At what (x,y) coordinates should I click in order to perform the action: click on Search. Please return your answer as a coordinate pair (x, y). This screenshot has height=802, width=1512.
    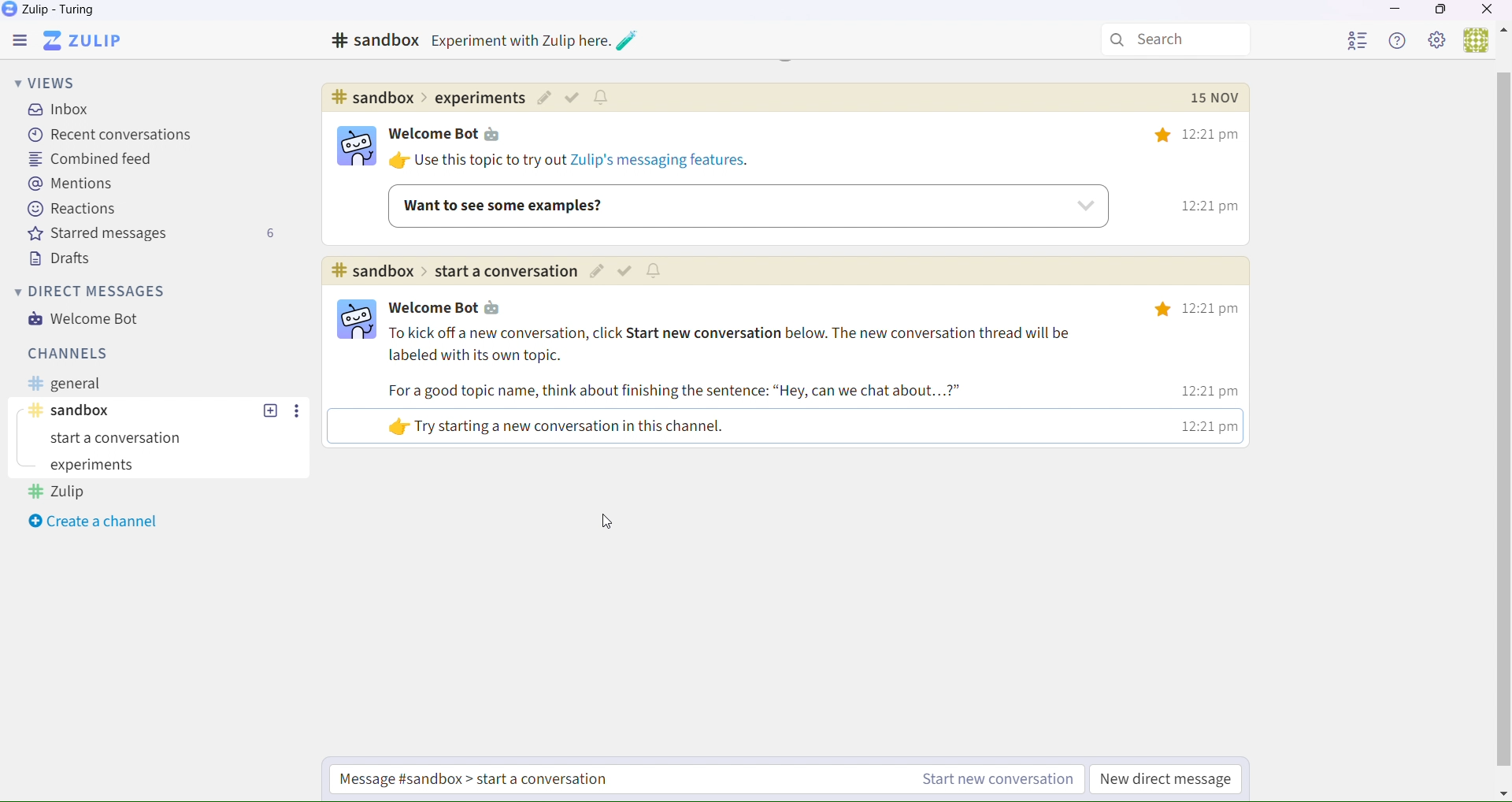
    Looking at the image, I should click on (1177, 40).